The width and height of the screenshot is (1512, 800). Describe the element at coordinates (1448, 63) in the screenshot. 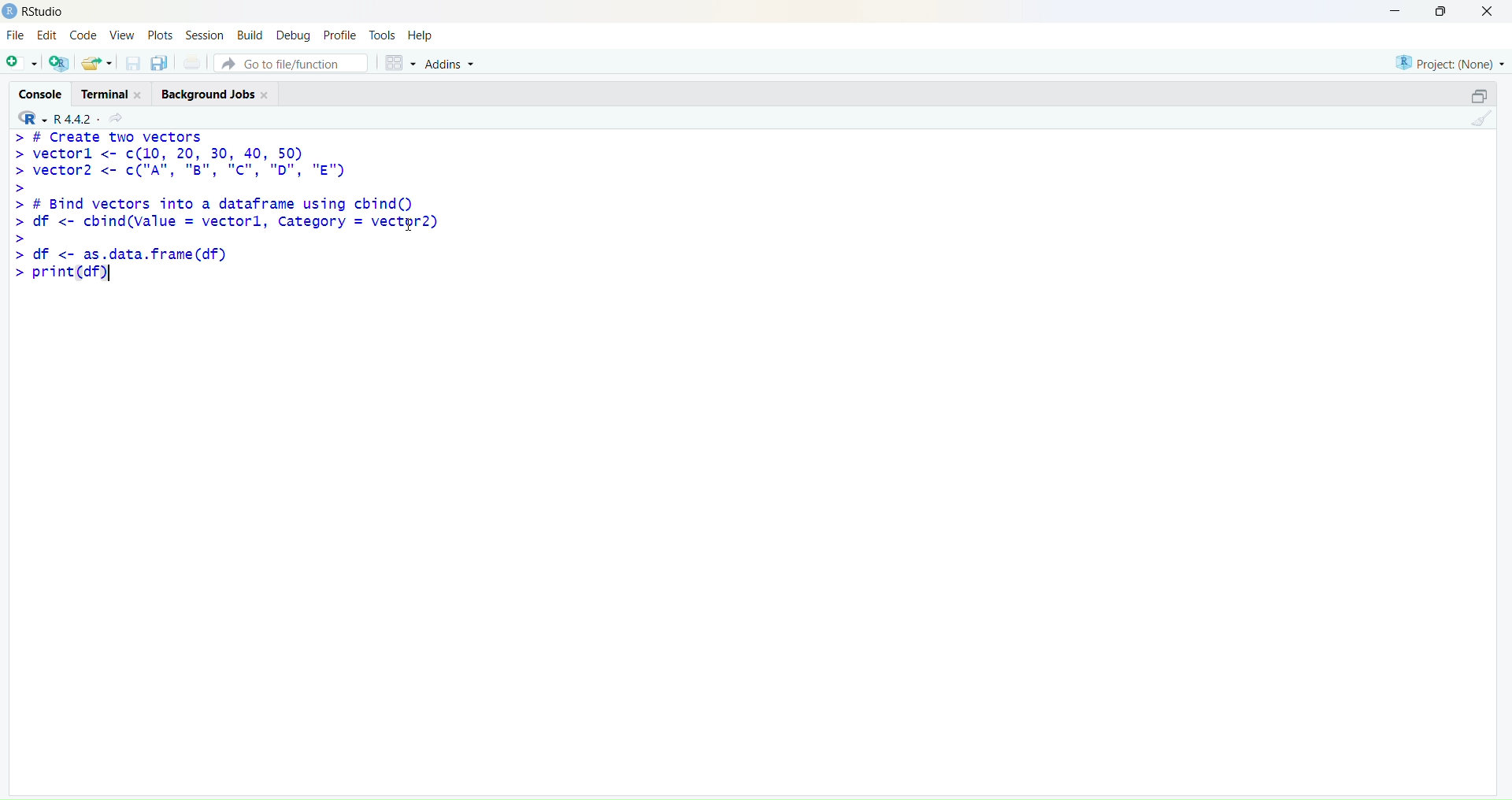

I see `Project: (None)` at that location.